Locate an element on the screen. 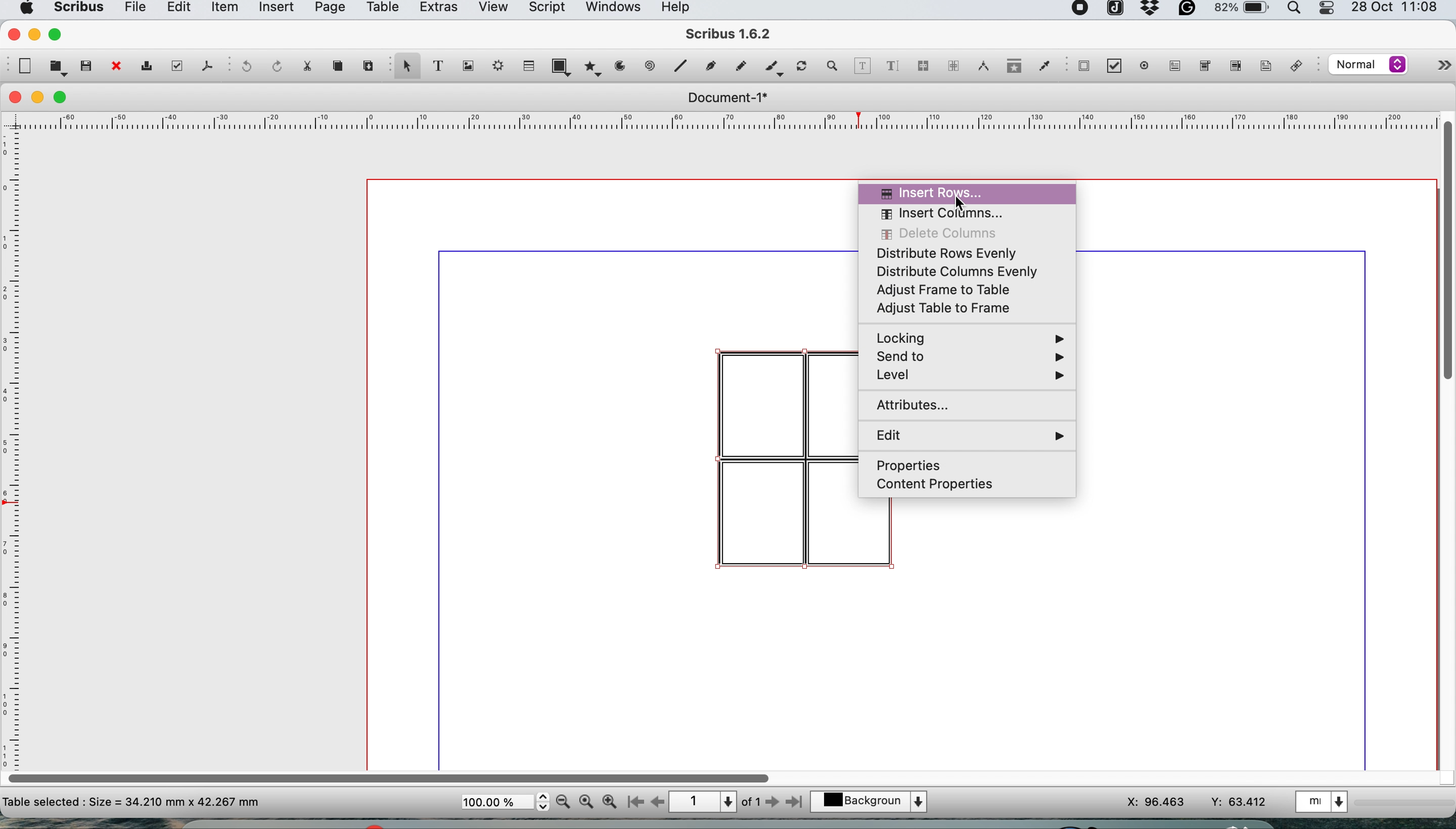 The height and width of the screenshot is (829, 1456). delete columns is located at coordinates (942, 234).